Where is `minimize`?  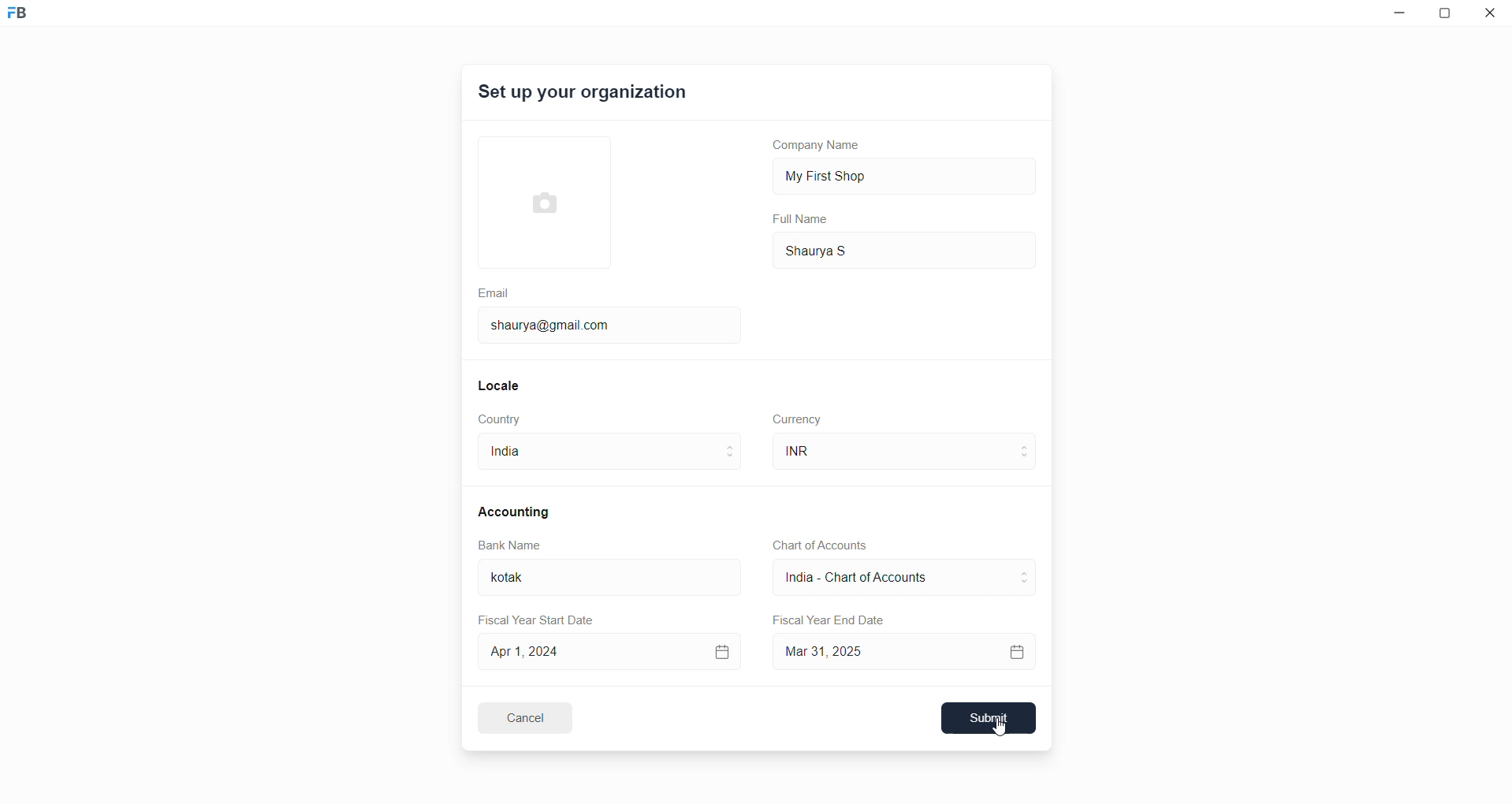 minimize is located at coordinates (1396, 17).